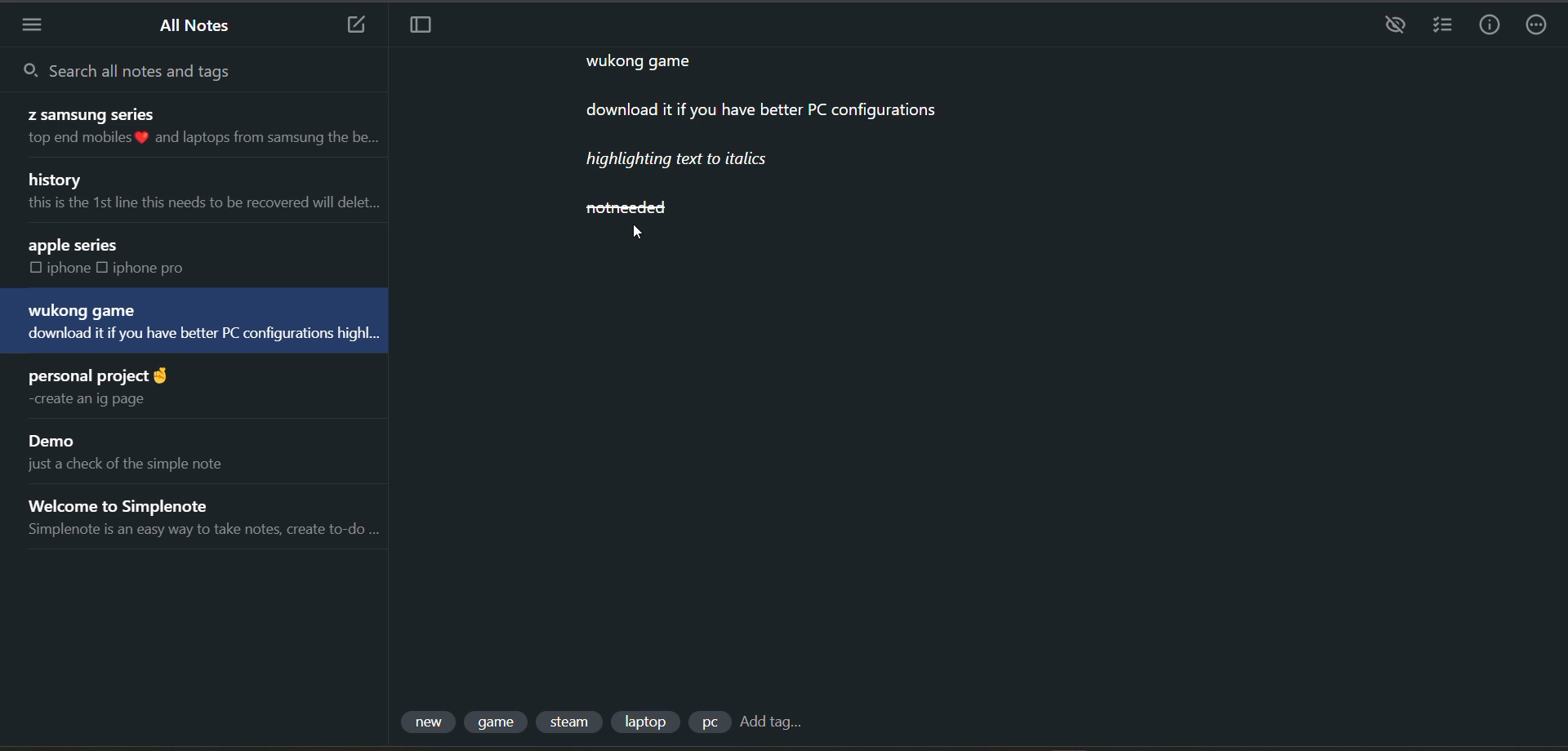 This screenshot has height=751, width=1568. Describe the element at coordinates (198, 321) in the screenshot. I see `note title and preview` at that location.